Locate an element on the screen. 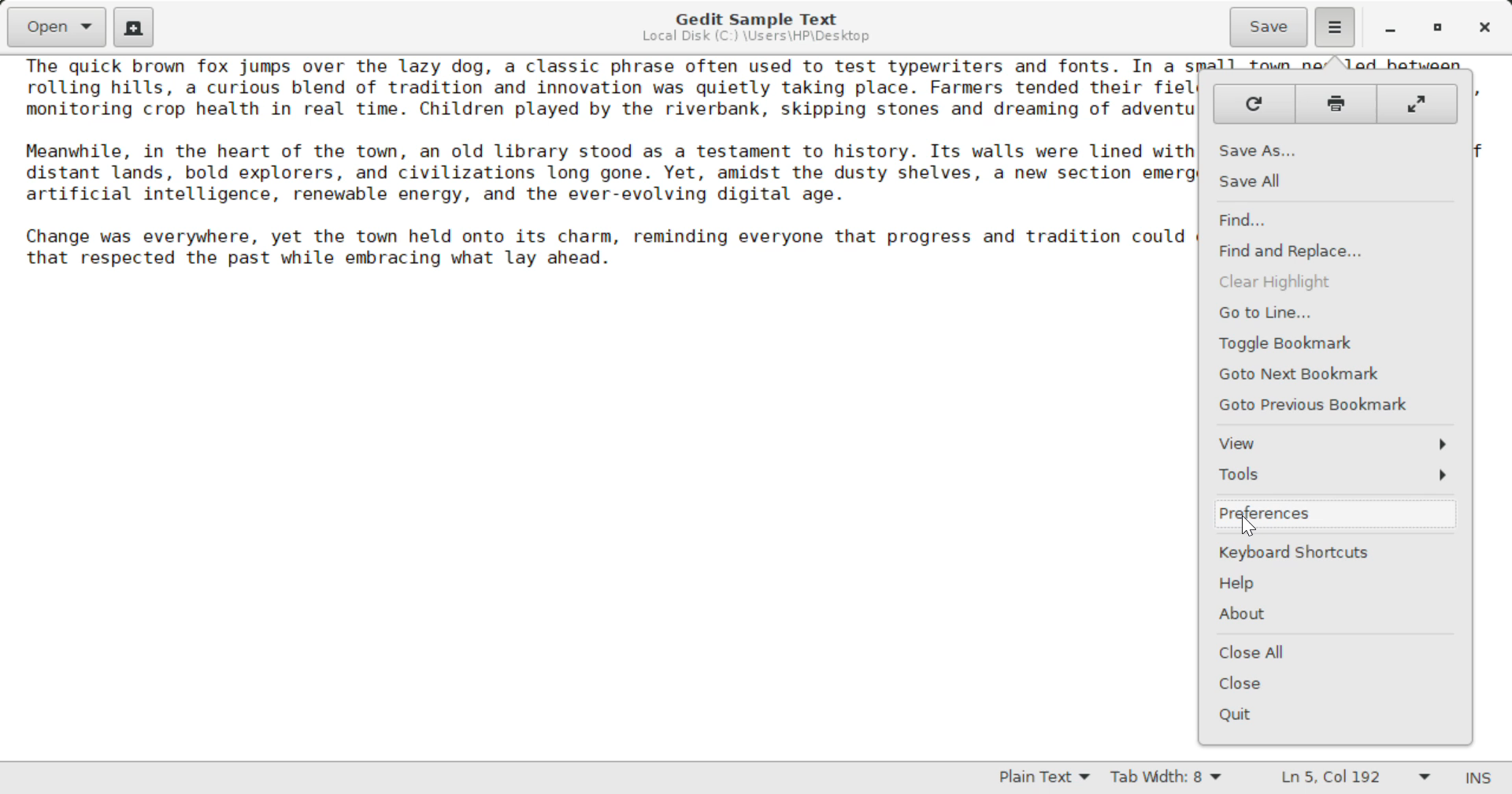 This screenshot has height=794, width=1512. Save All is located at coordinates (1264, 181).